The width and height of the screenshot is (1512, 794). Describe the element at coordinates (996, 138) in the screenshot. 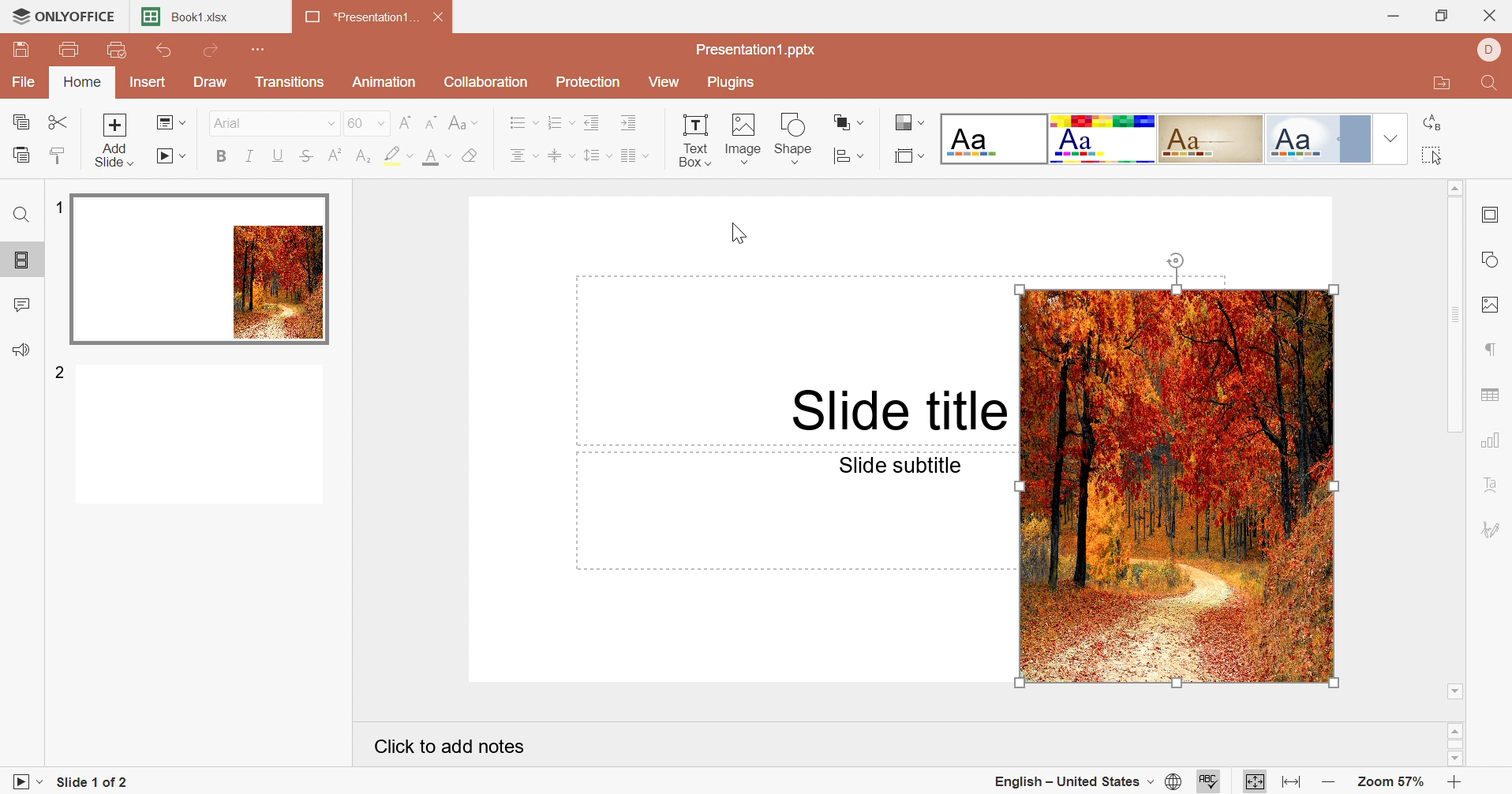

I see `Blank` at that location.